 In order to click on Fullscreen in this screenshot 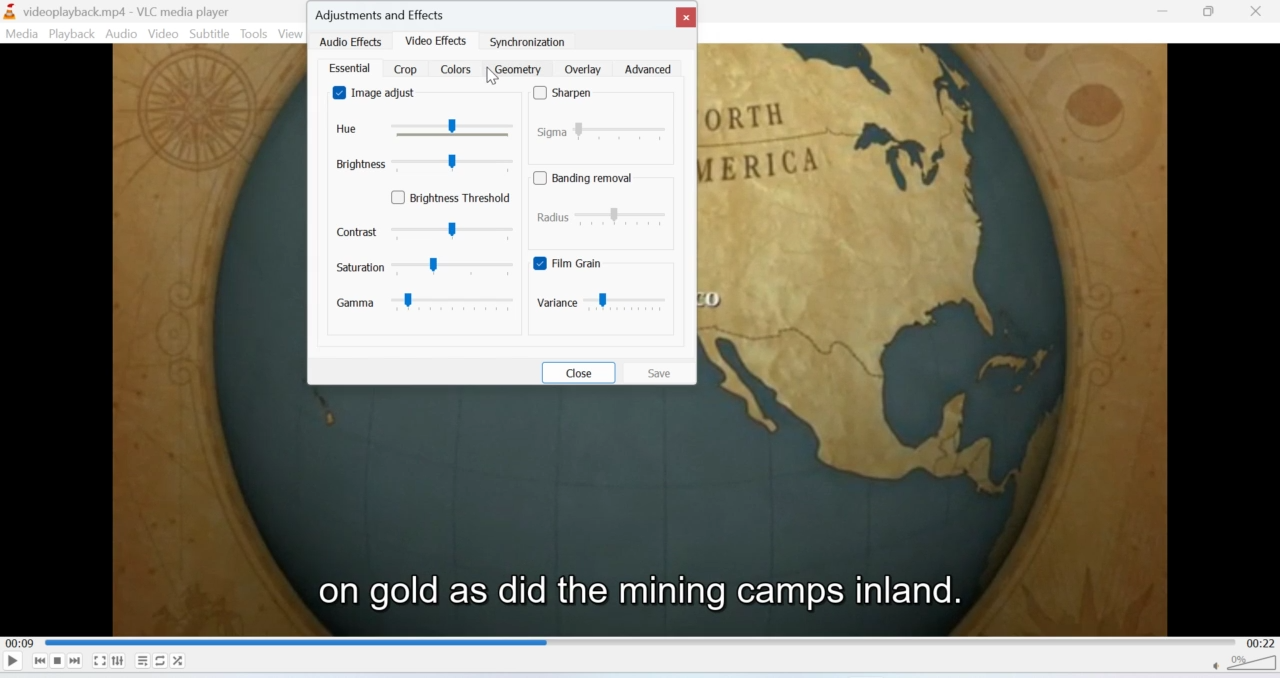, I will do `click(100, 662)`.